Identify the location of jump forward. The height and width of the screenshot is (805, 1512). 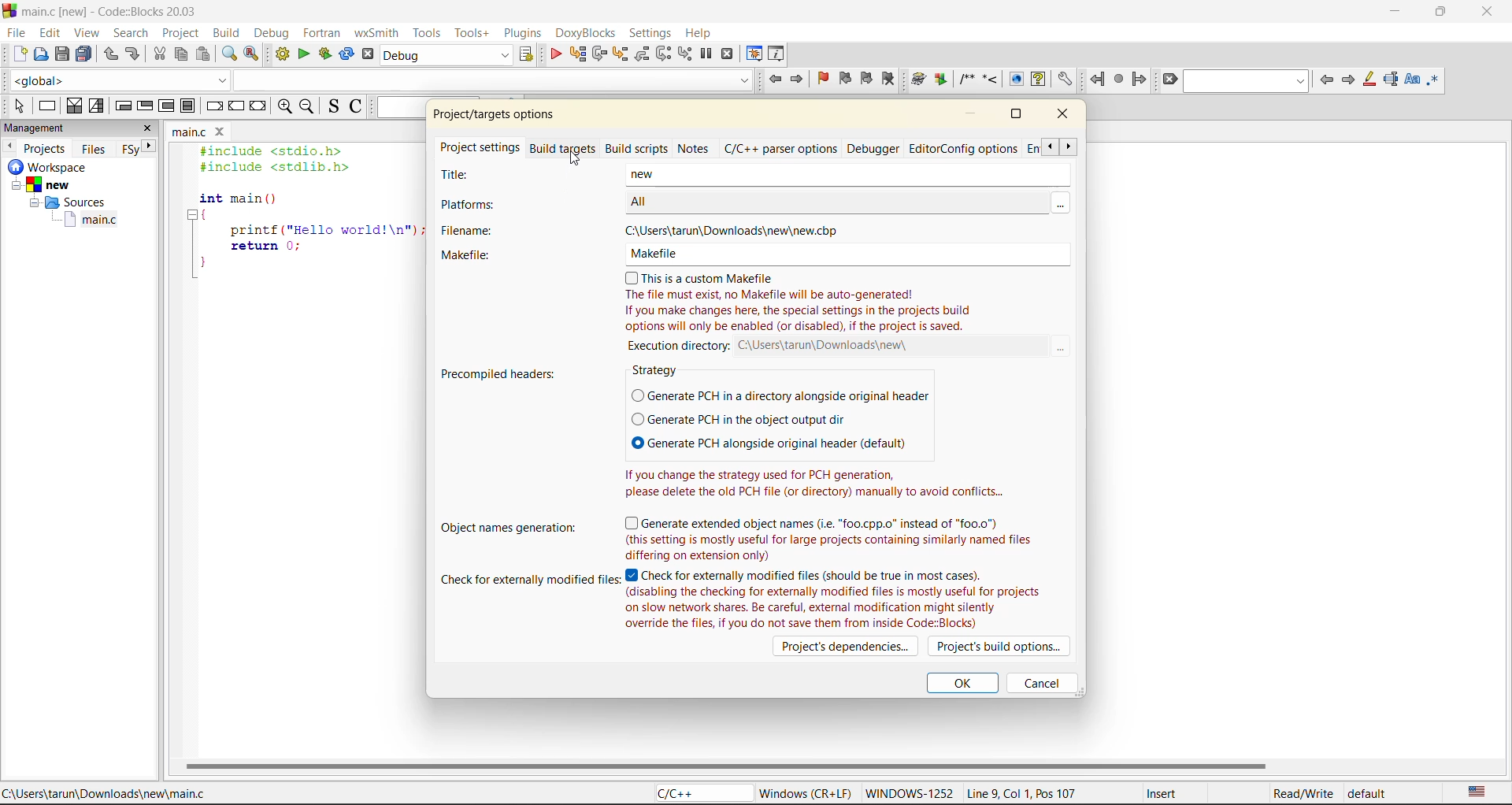
(799, 80).